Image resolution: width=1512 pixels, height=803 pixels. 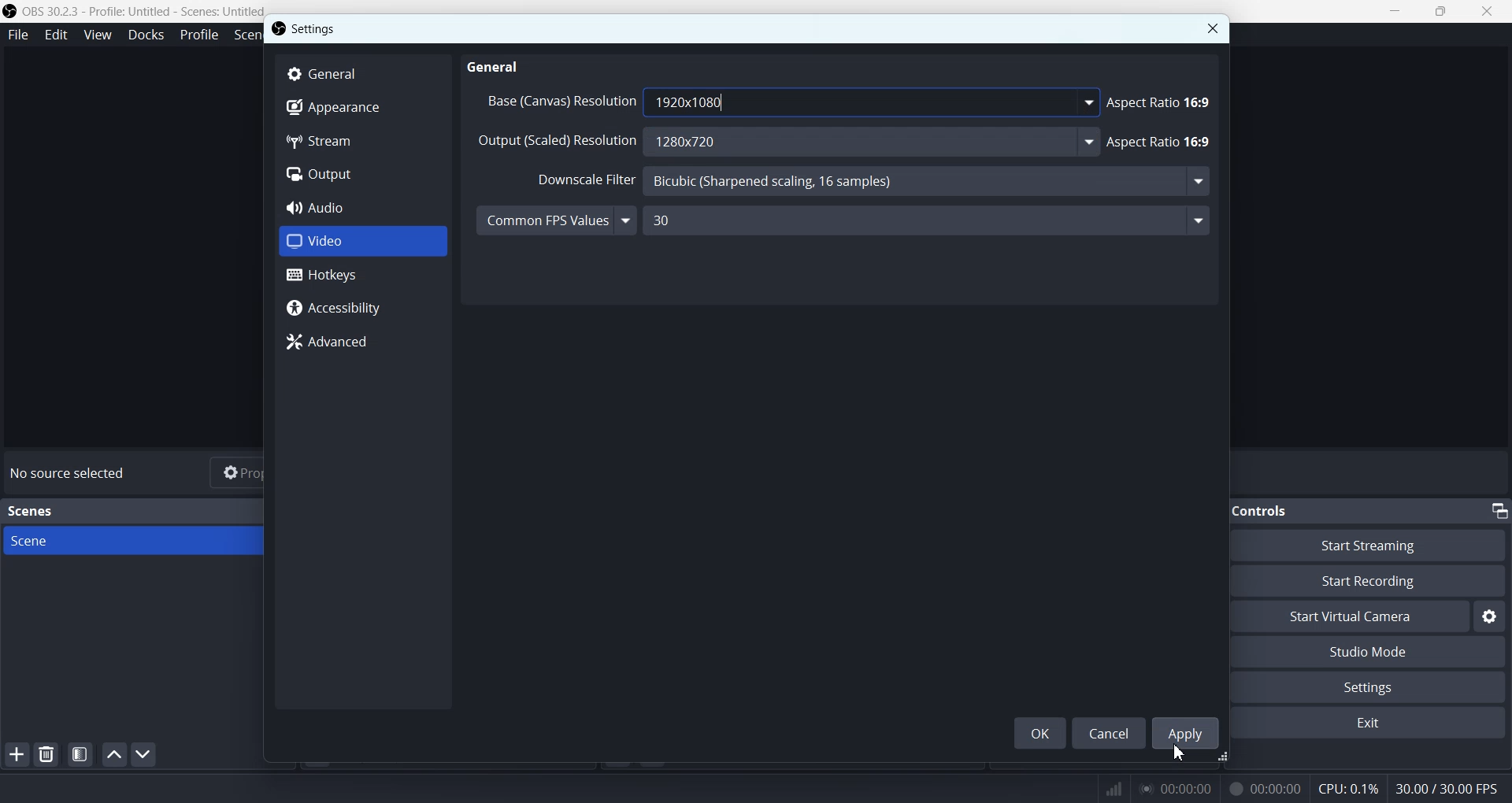 What do you see at coordinates (1499, 510) in the screenshot?
I see `Minimize` at bounding box center [1499, 510].